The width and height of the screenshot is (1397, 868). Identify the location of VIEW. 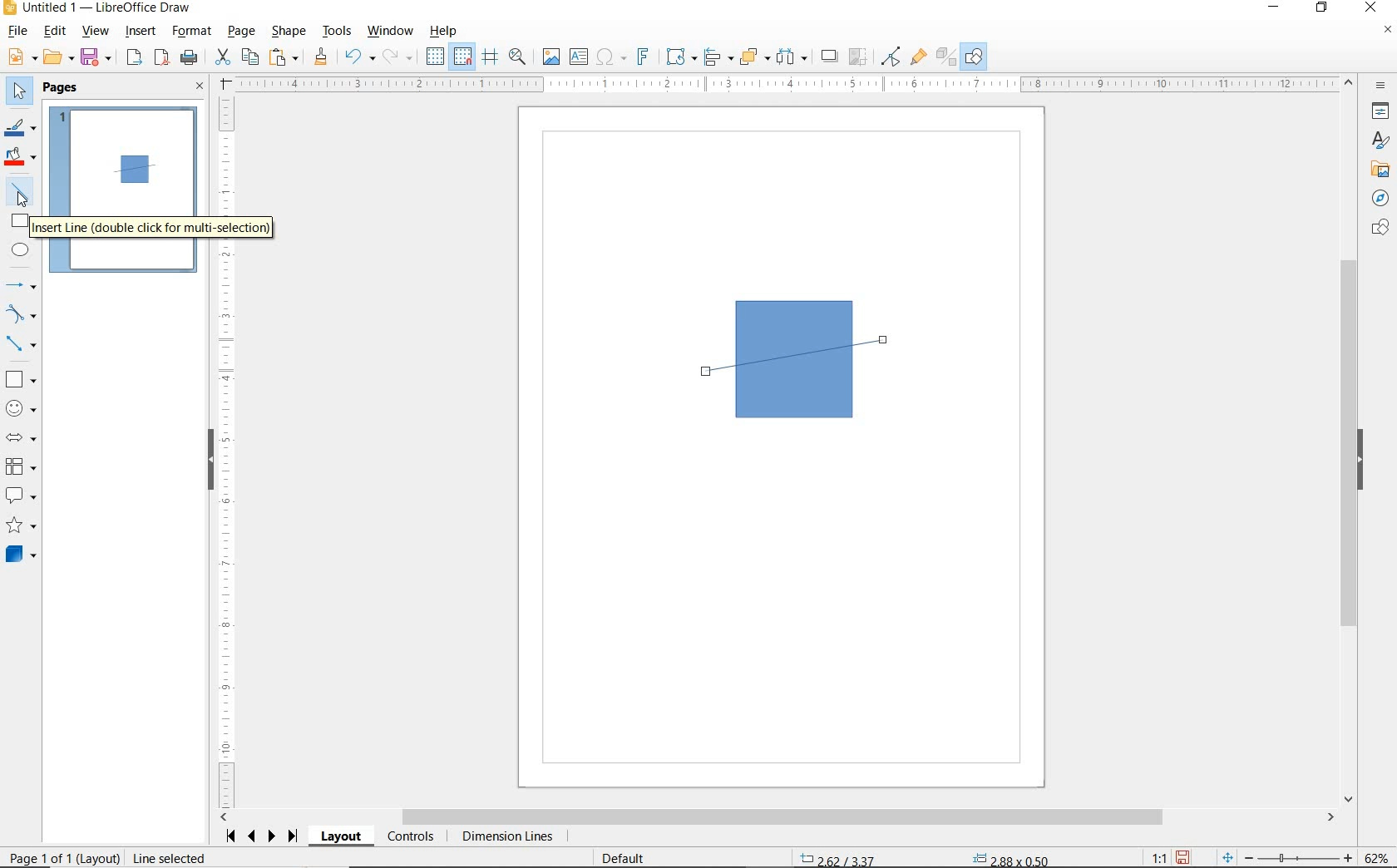
(95, 31).